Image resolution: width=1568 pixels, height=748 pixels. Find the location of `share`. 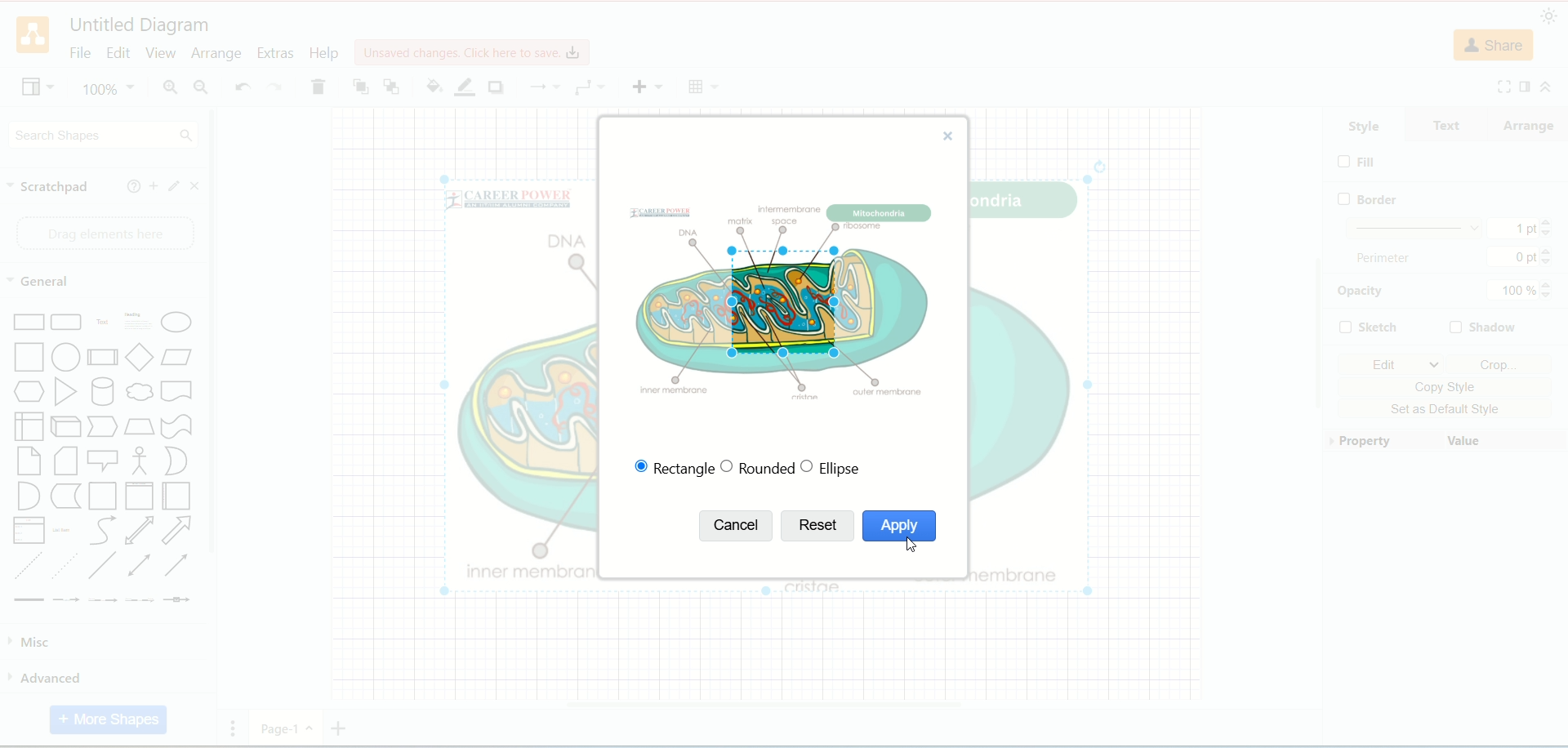

share is located at coordinates (1494, 46).